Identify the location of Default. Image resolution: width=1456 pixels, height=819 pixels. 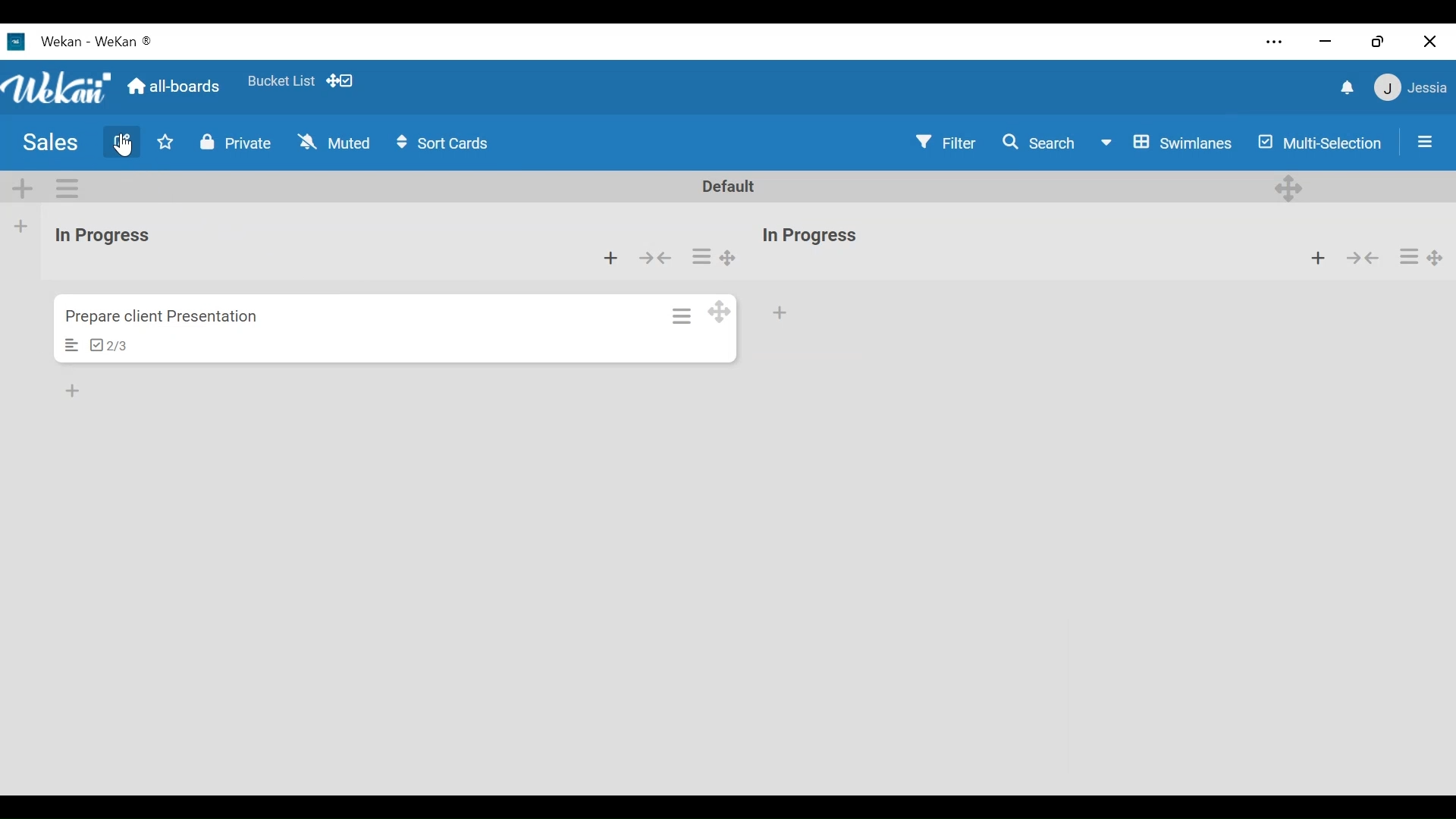
(726, 186).